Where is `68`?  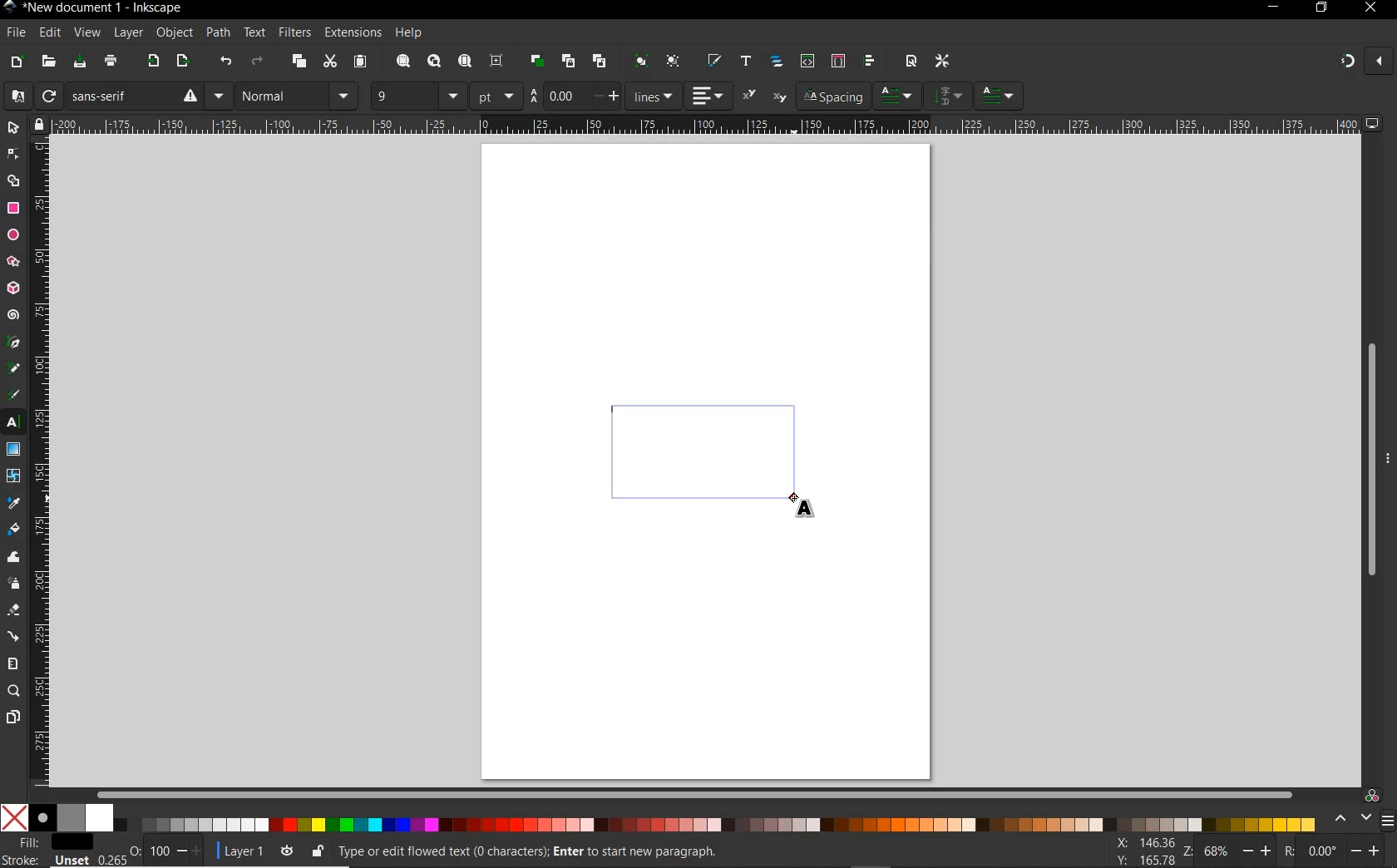
68 is located at coordinates (1217, 851).